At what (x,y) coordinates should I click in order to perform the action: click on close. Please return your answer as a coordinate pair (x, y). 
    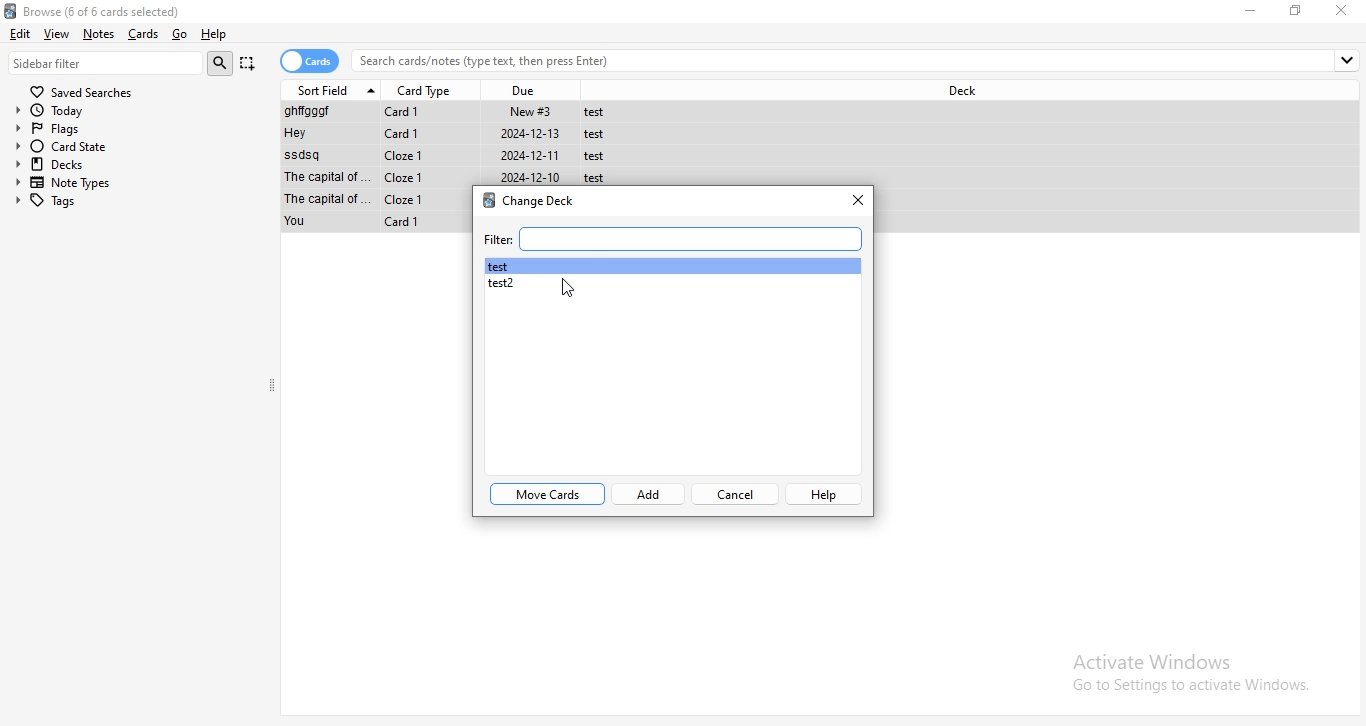
    Looking at the image, I should click on (858, 200).